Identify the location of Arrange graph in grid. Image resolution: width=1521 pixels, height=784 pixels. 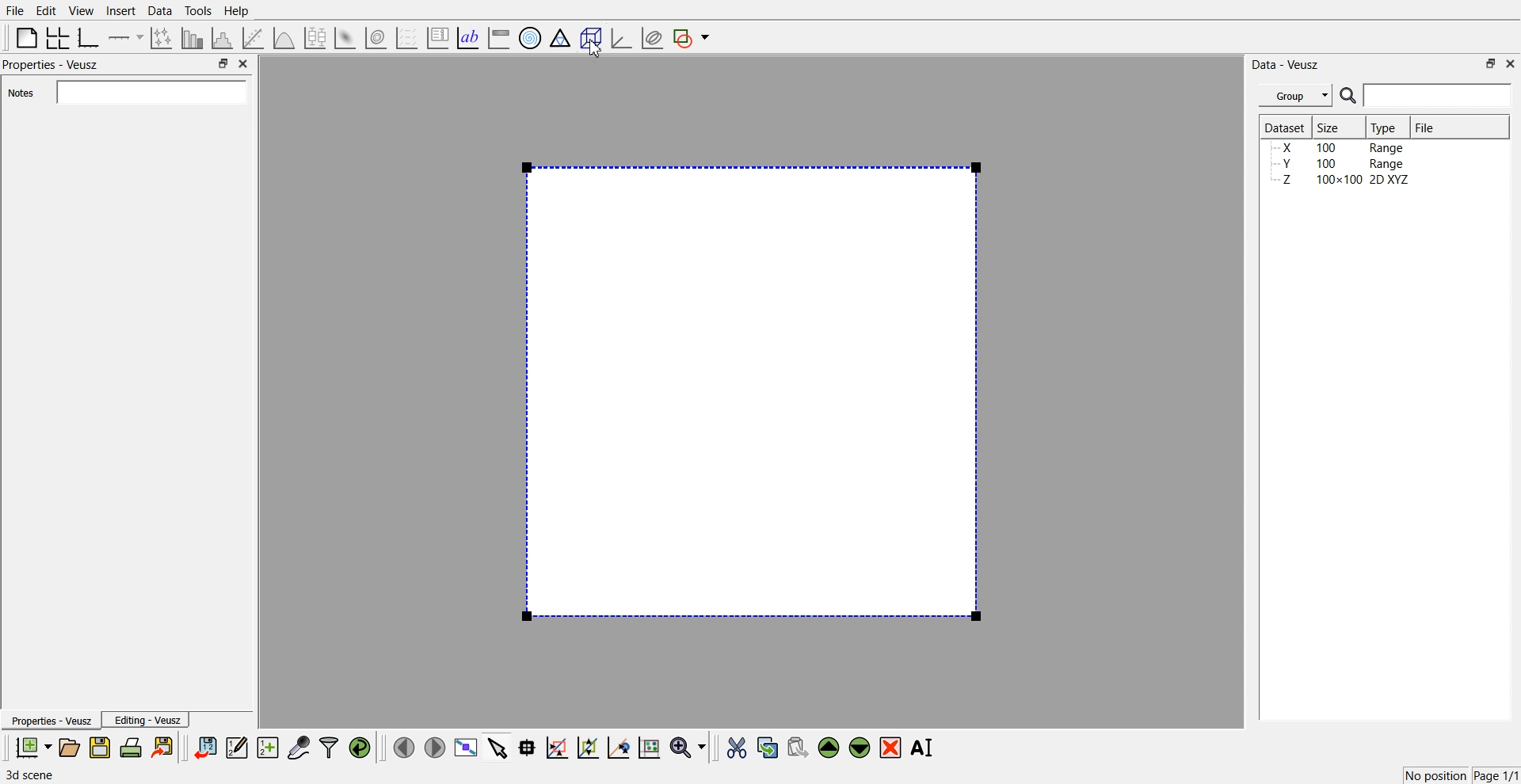
(58, 39).